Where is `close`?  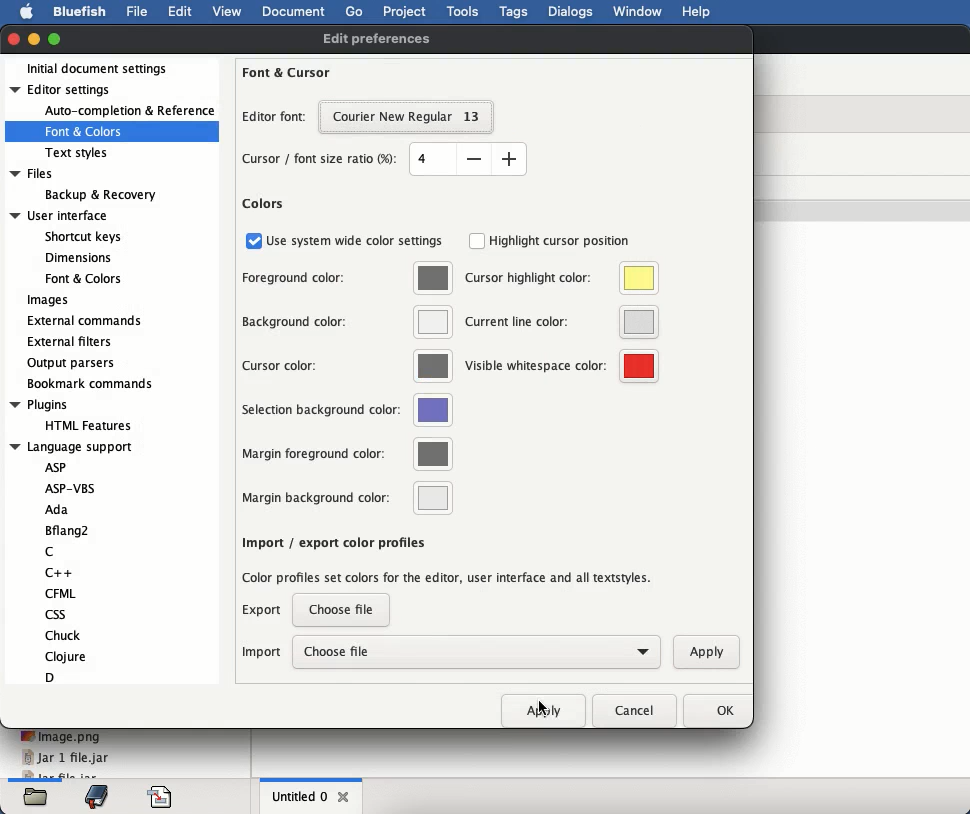 close is located at coordinates (345, 797).